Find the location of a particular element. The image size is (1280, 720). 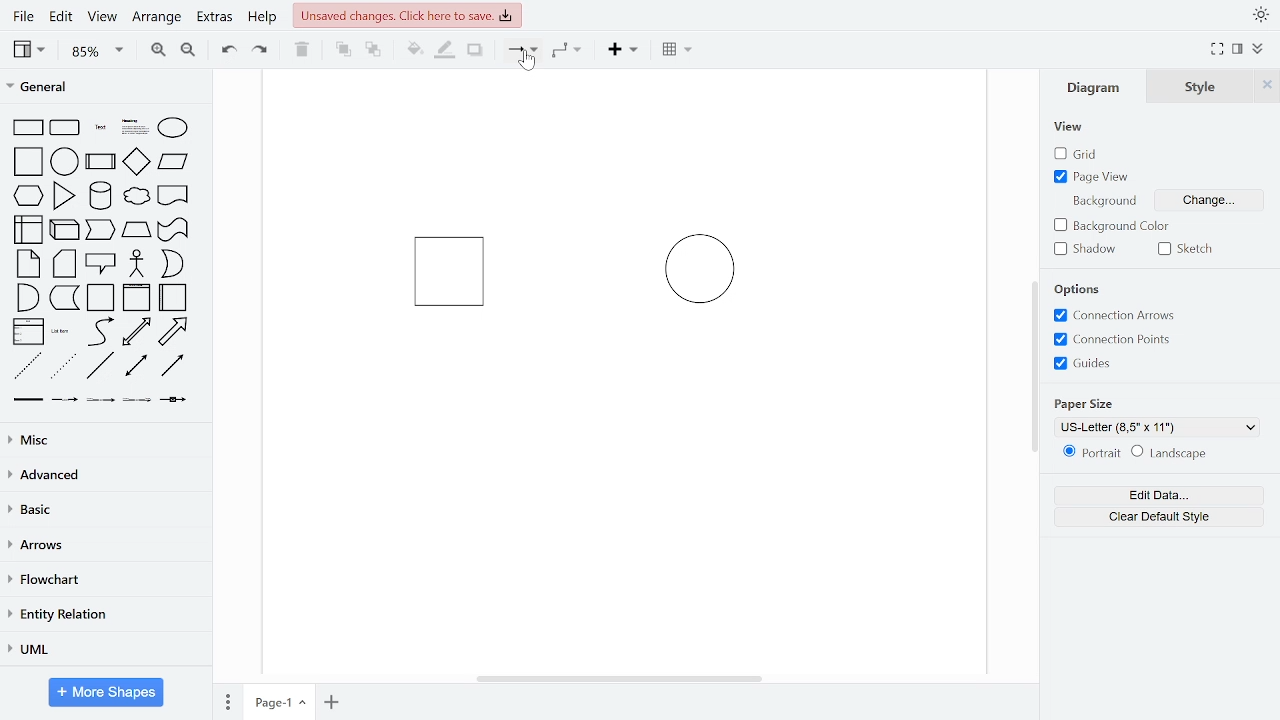

close is located at coordinates (1267, 85).